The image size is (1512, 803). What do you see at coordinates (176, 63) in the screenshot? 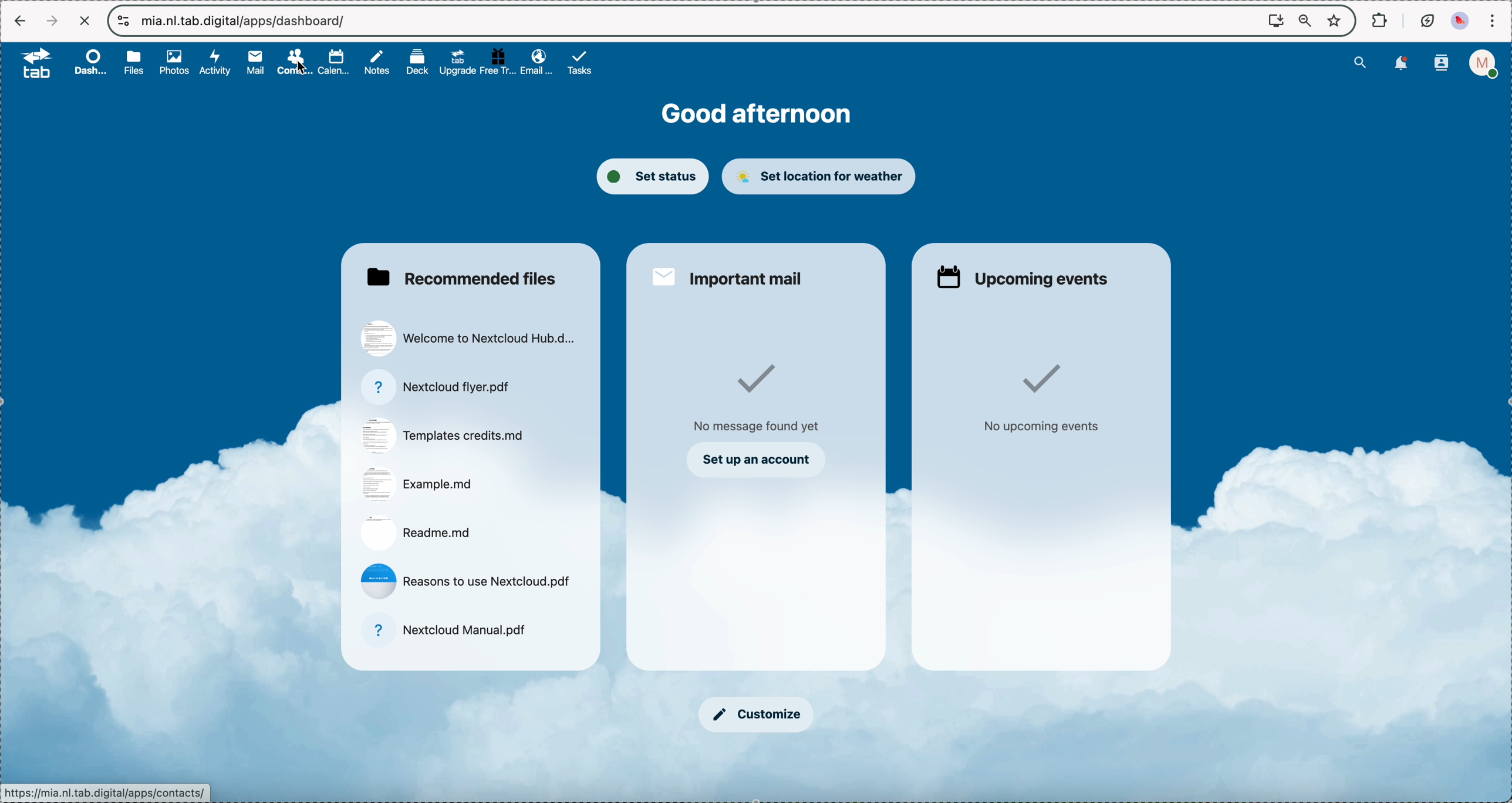
I see `photos` at bounding box center [176, 63].